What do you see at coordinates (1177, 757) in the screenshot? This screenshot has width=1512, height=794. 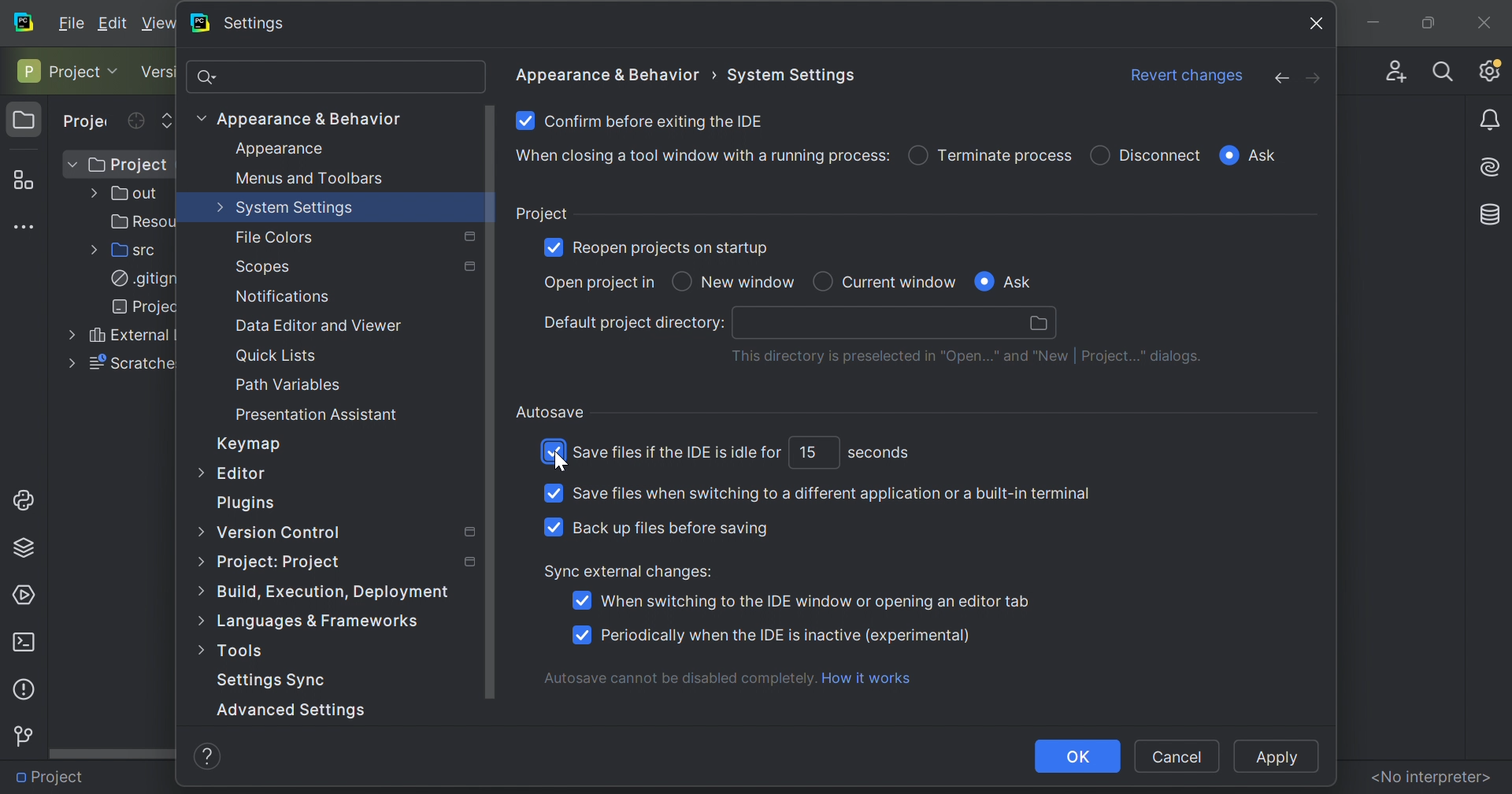 I see `Cancel` at bounding box center [1177, 757].